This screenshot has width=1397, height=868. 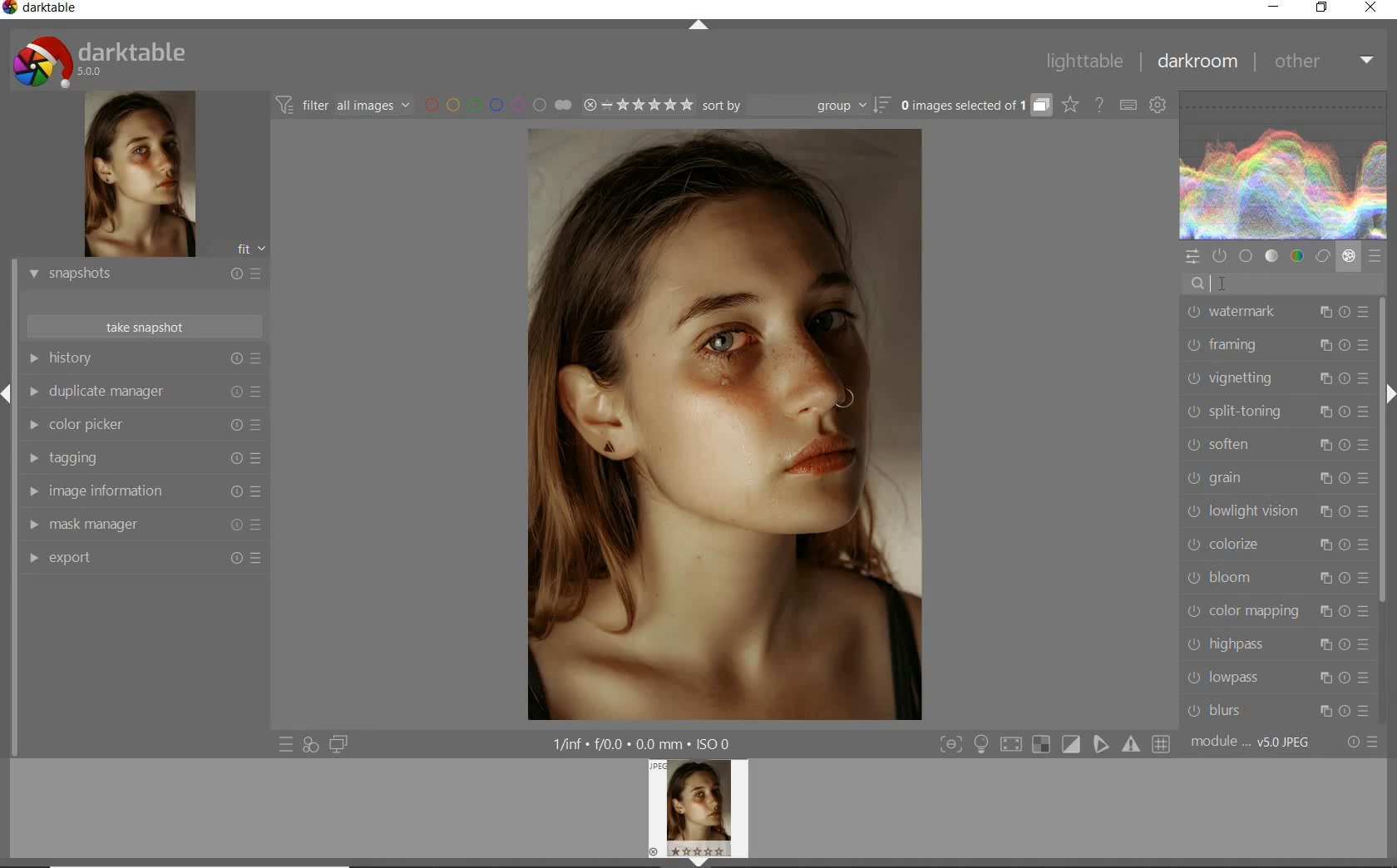 What do you see at coordinates (1283, 711) in the screenshot?
I see `blurs` at bounding box center [1283, 711].